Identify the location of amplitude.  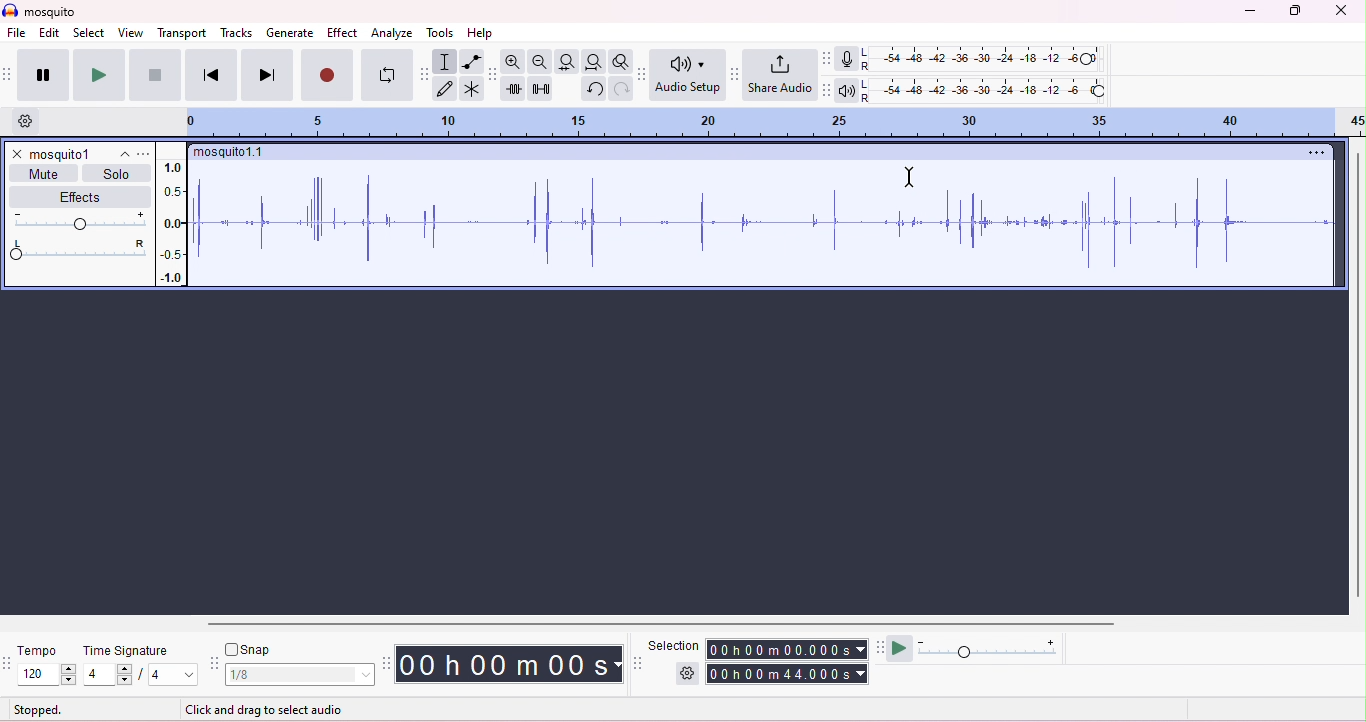
(174, 222).